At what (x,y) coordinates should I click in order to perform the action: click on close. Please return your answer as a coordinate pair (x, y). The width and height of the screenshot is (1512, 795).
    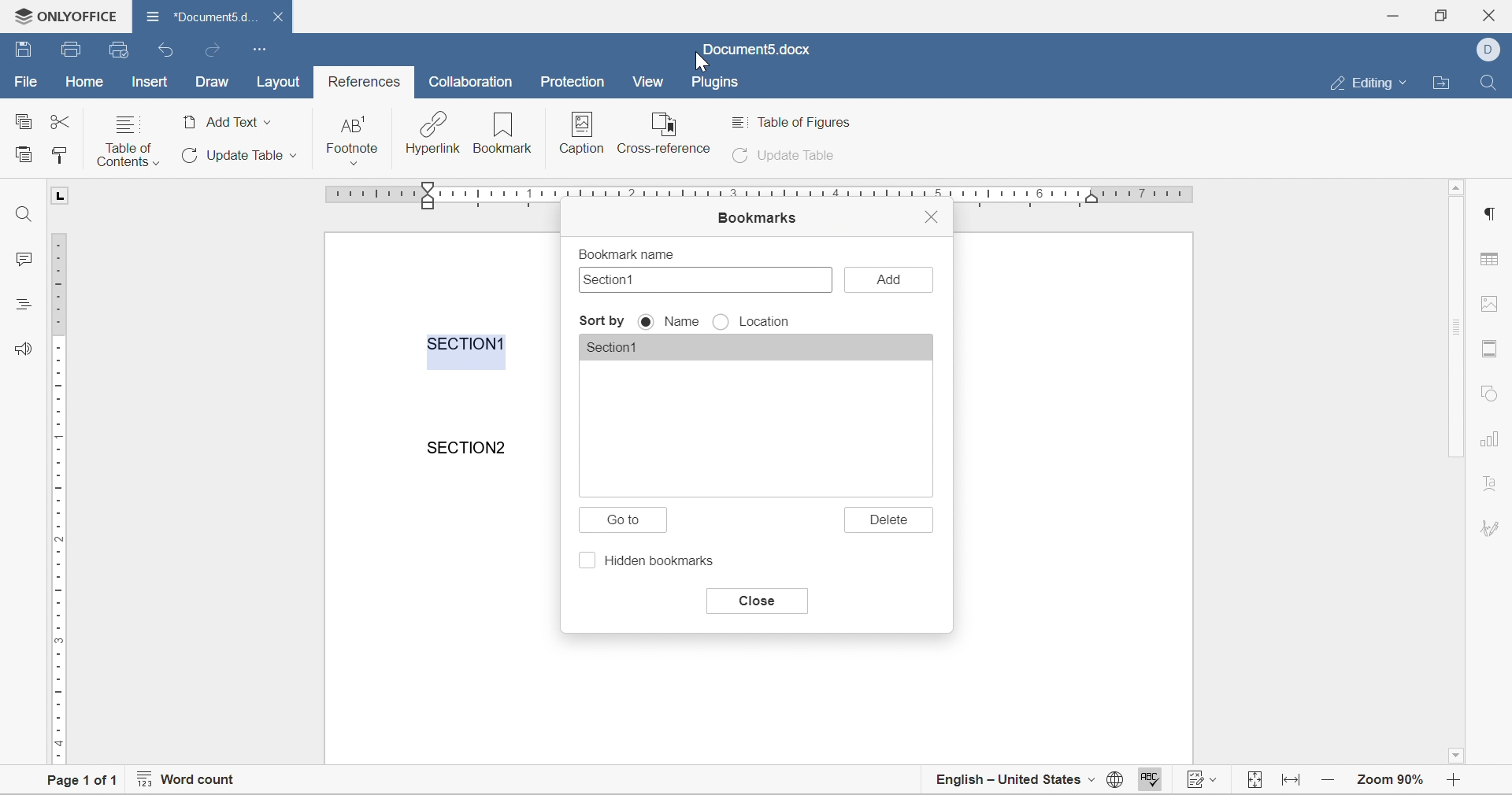
    Looking at the image, I should click on (281, 17).